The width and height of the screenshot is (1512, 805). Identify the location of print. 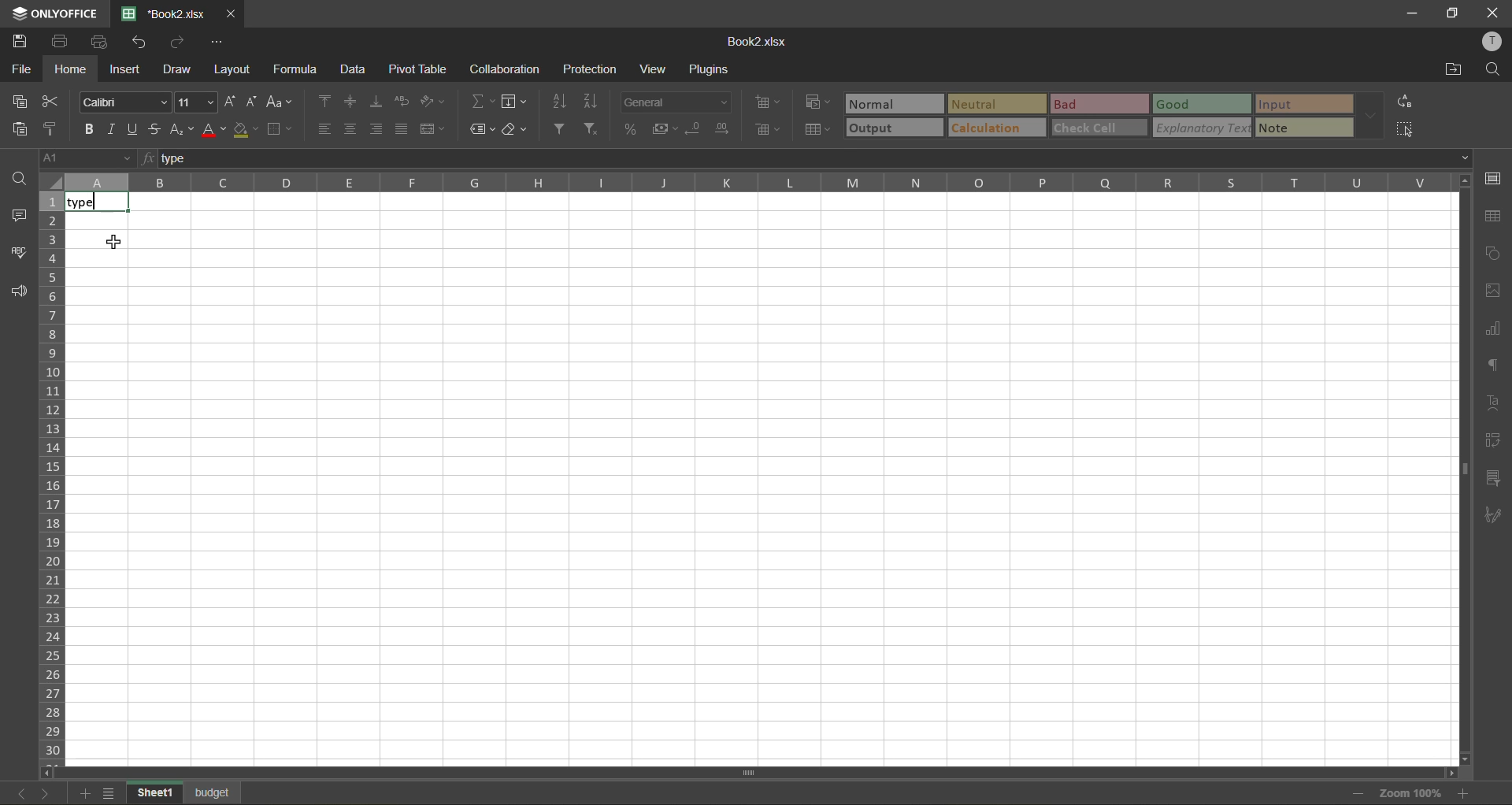
(57, 43).